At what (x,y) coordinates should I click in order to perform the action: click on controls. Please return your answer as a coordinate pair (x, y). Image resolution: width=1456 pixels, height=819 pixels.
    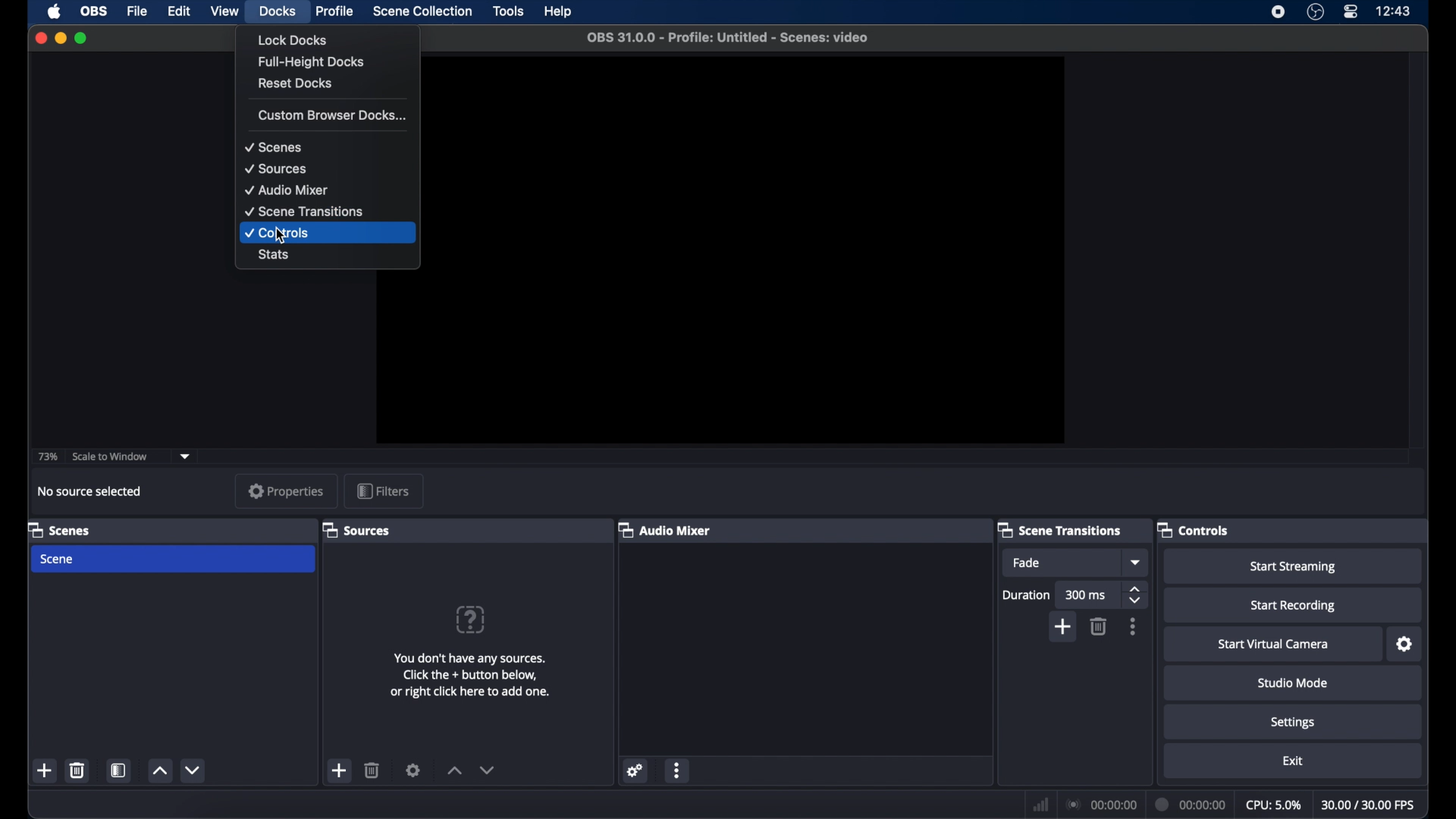
    Looking at the image, I should click on (278, 234).